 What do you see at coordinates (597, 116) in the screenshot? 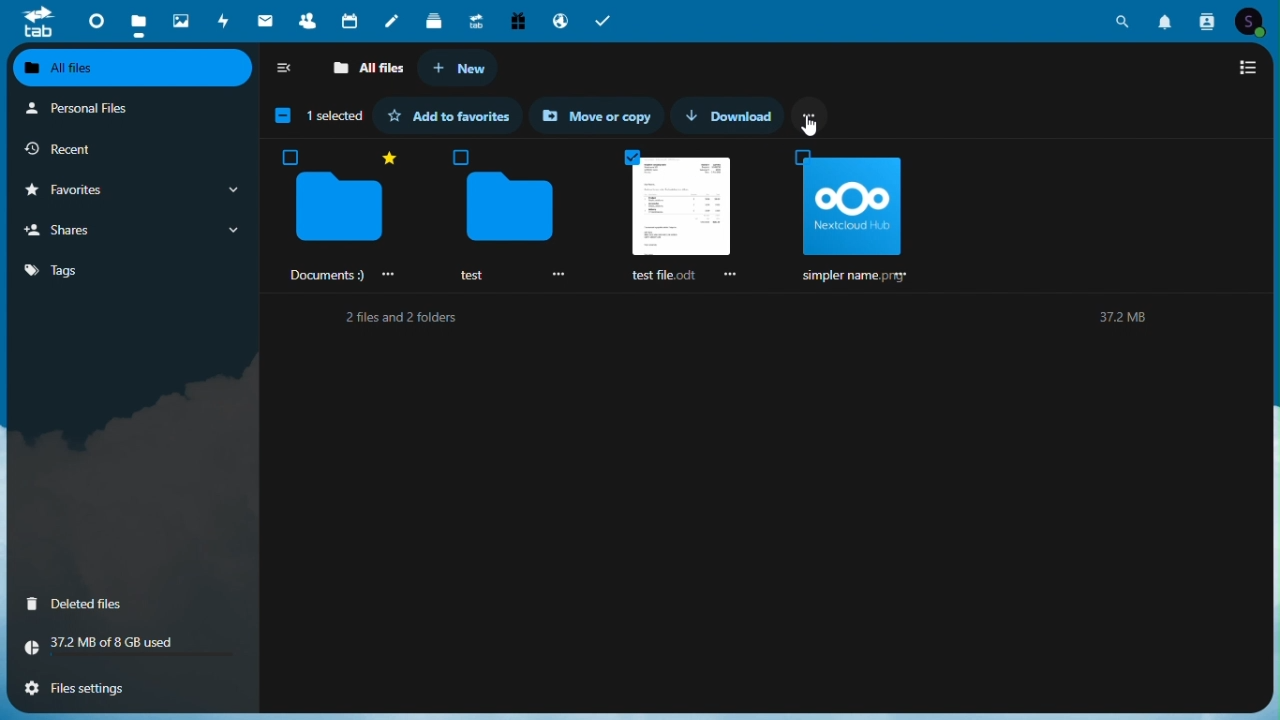
I see `Move or copy` at bounding box center [597, 116].